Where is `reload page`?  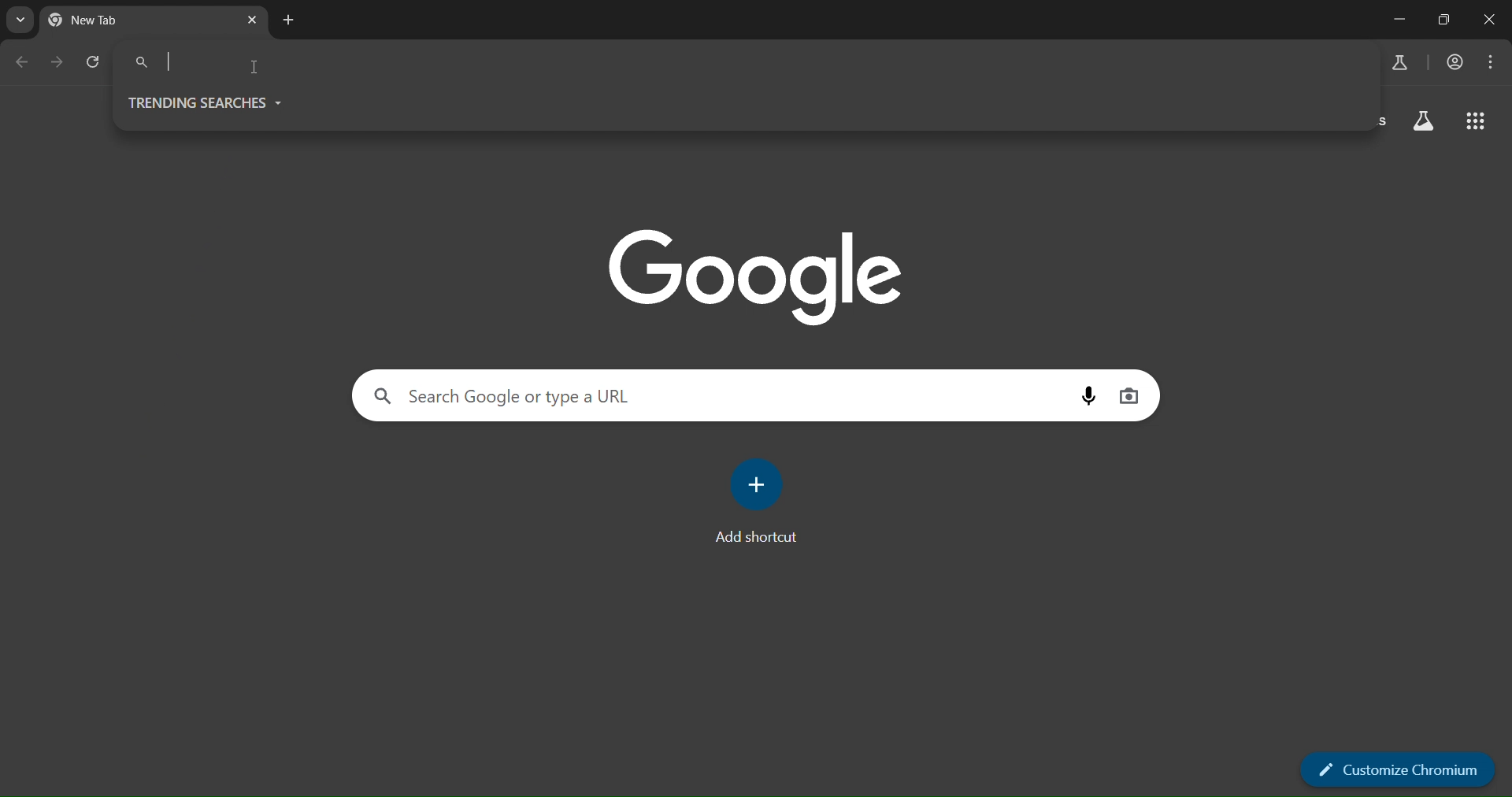
reload page is located at coordinates (94, 63).